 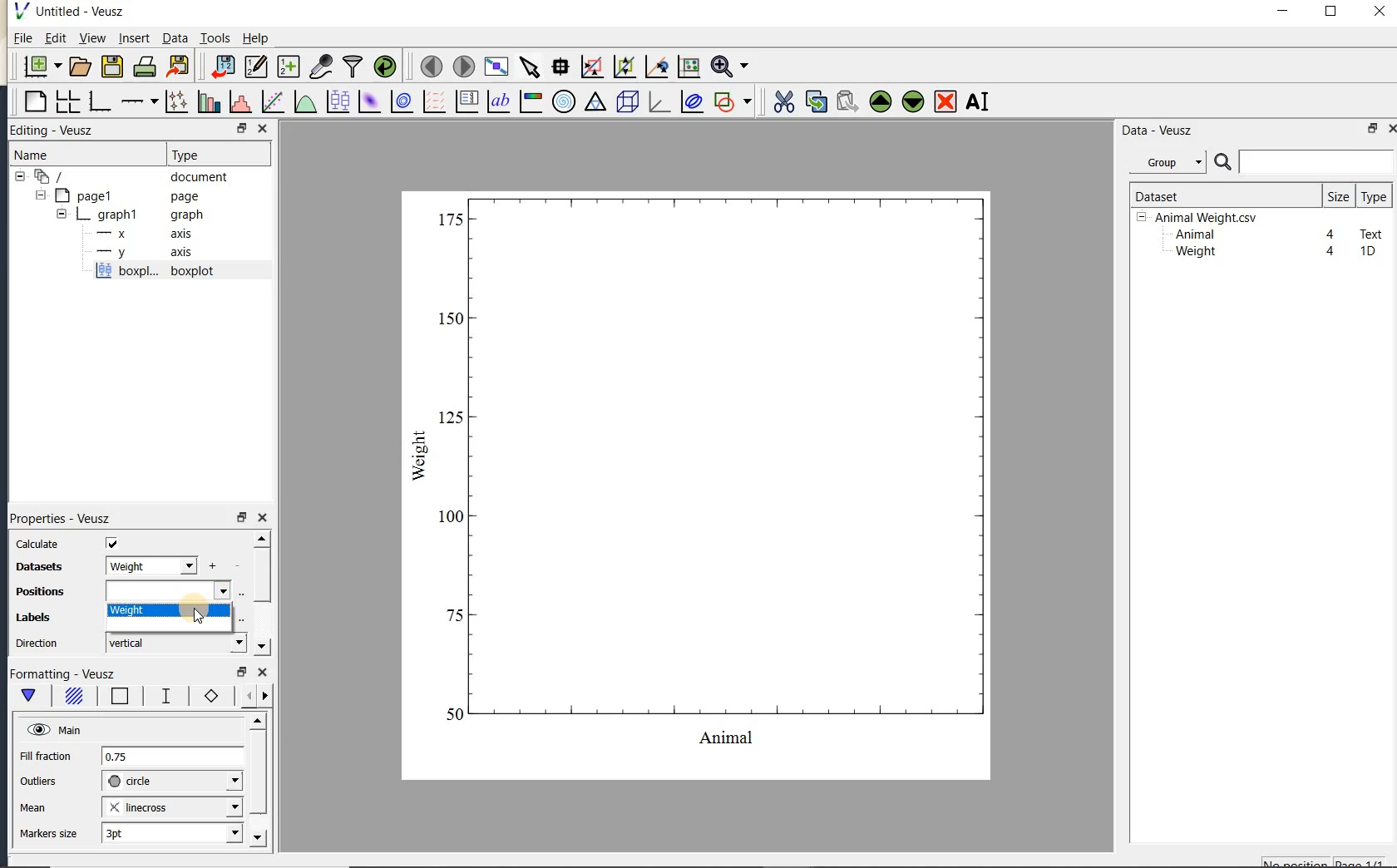 I want to click on calculate, so click(x=39, y=545).